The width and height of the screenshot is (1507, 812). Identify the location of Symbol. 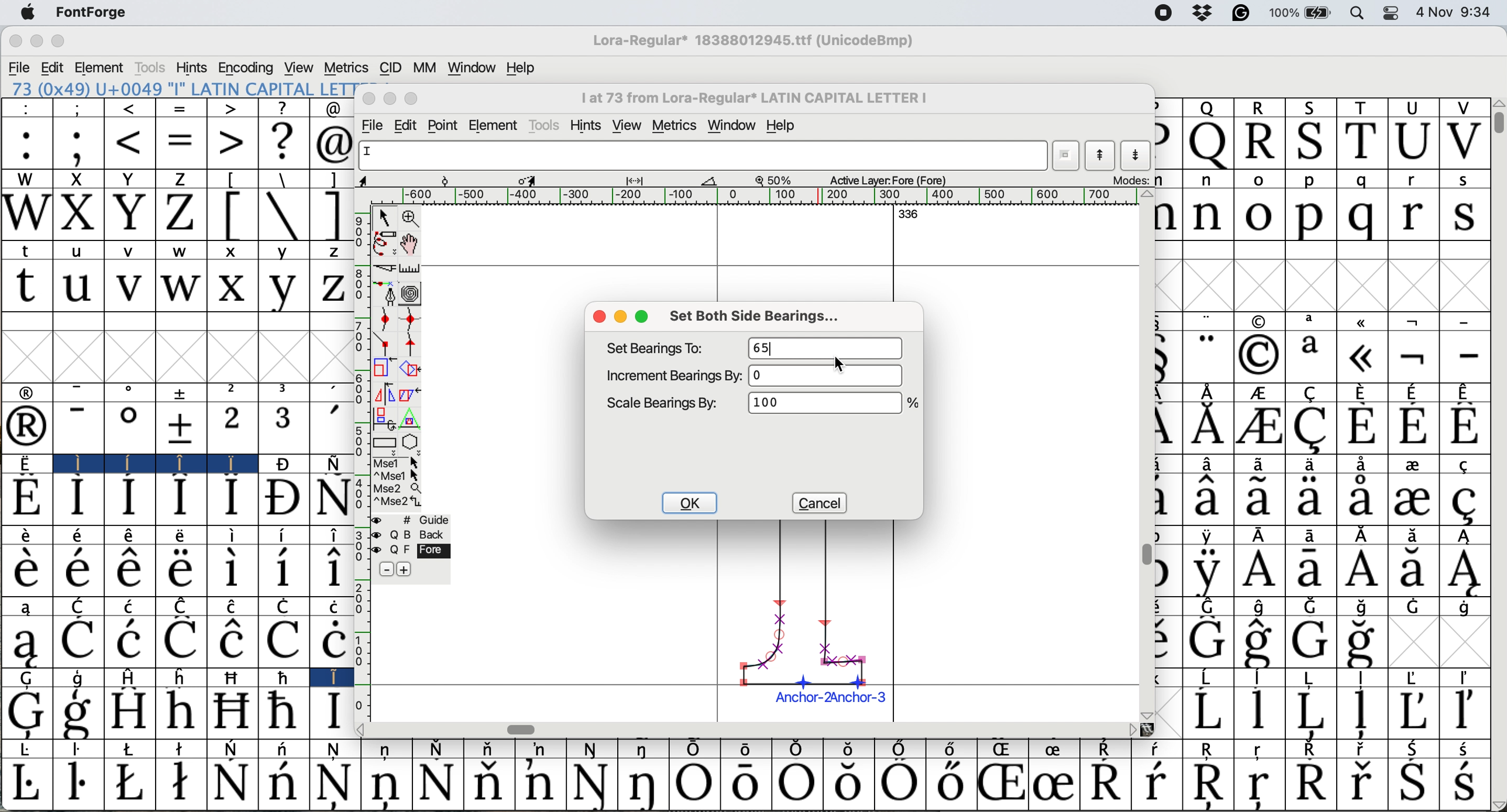
(332, 712).